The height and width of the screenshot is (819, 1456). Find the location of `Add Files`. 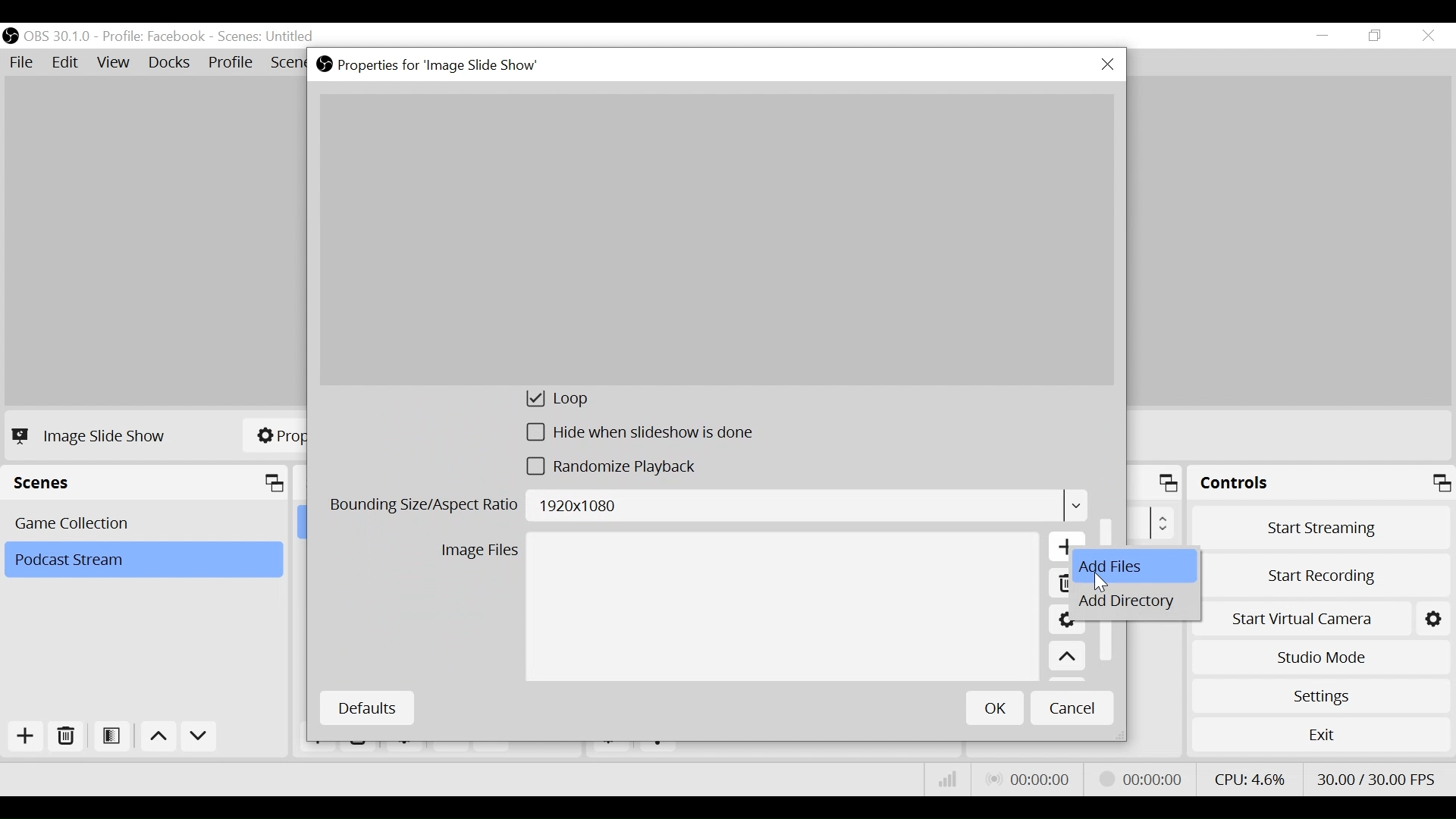

Add Files is located at coordinates (1137, 567).